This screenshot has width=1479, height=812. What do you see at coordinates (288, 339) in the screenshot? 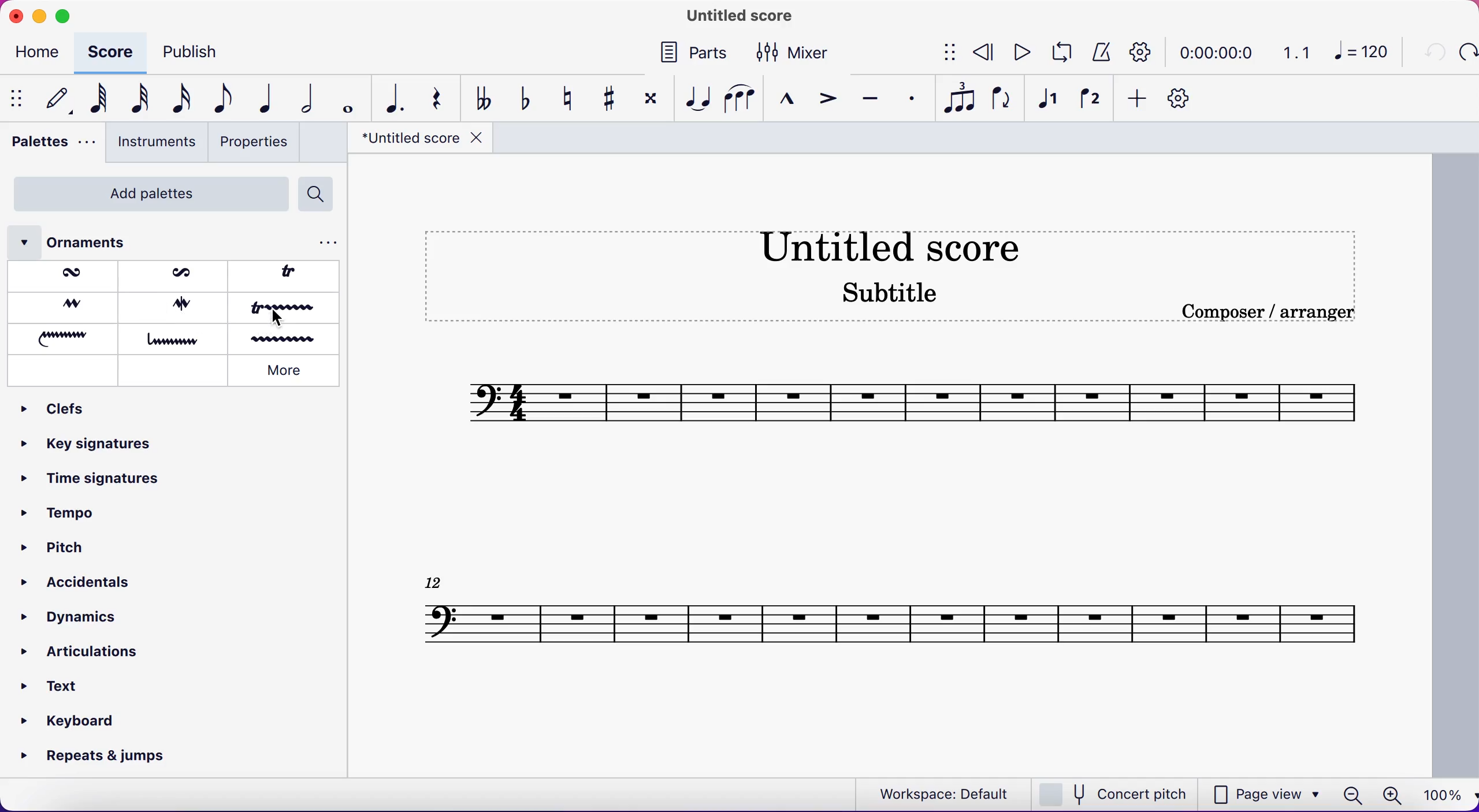
I see `vibrato or shake` at bounding box center [288, 339].